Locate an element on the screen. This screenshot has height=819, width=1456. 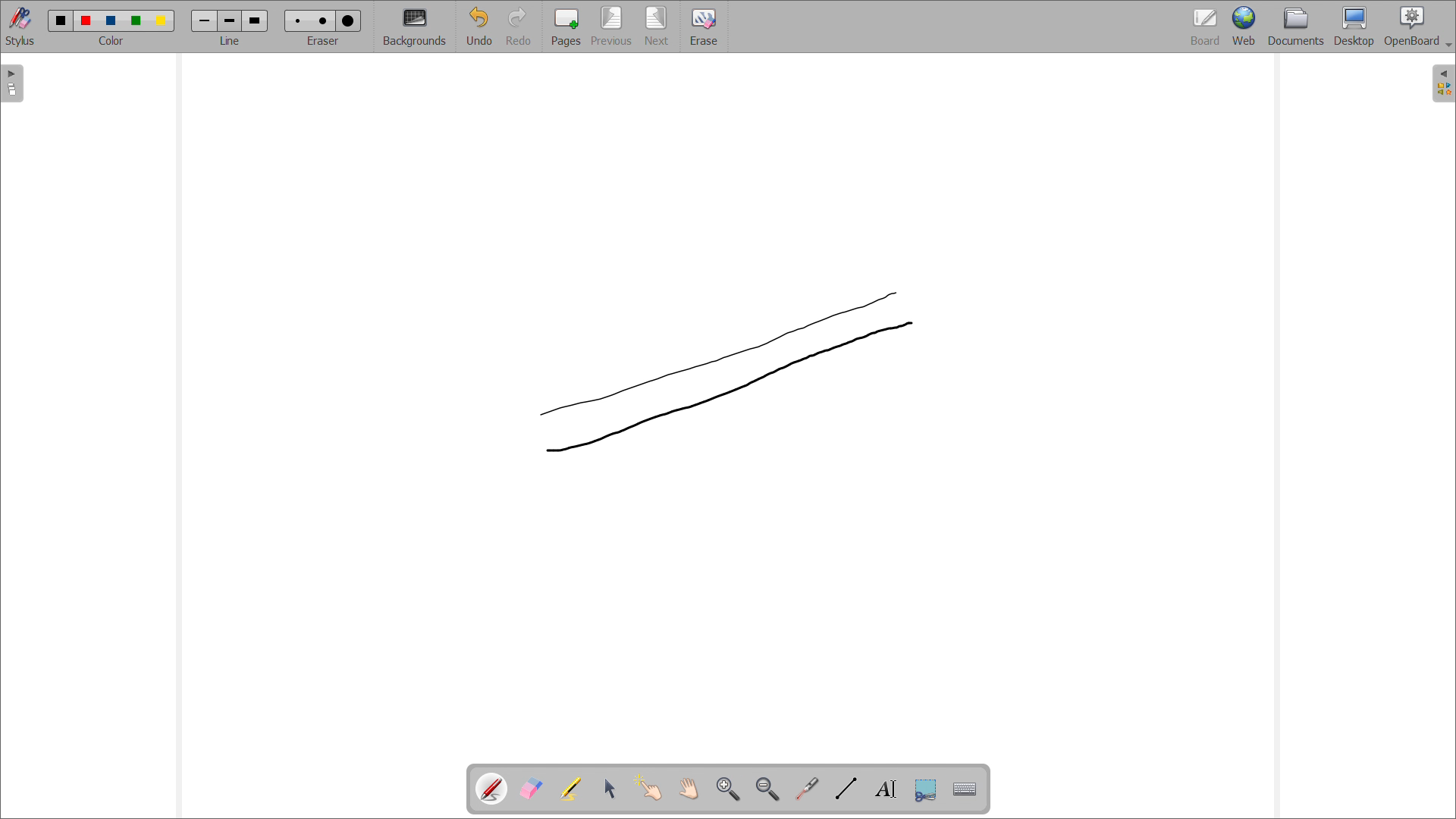
zoom in is located at coordinates (729, 789).